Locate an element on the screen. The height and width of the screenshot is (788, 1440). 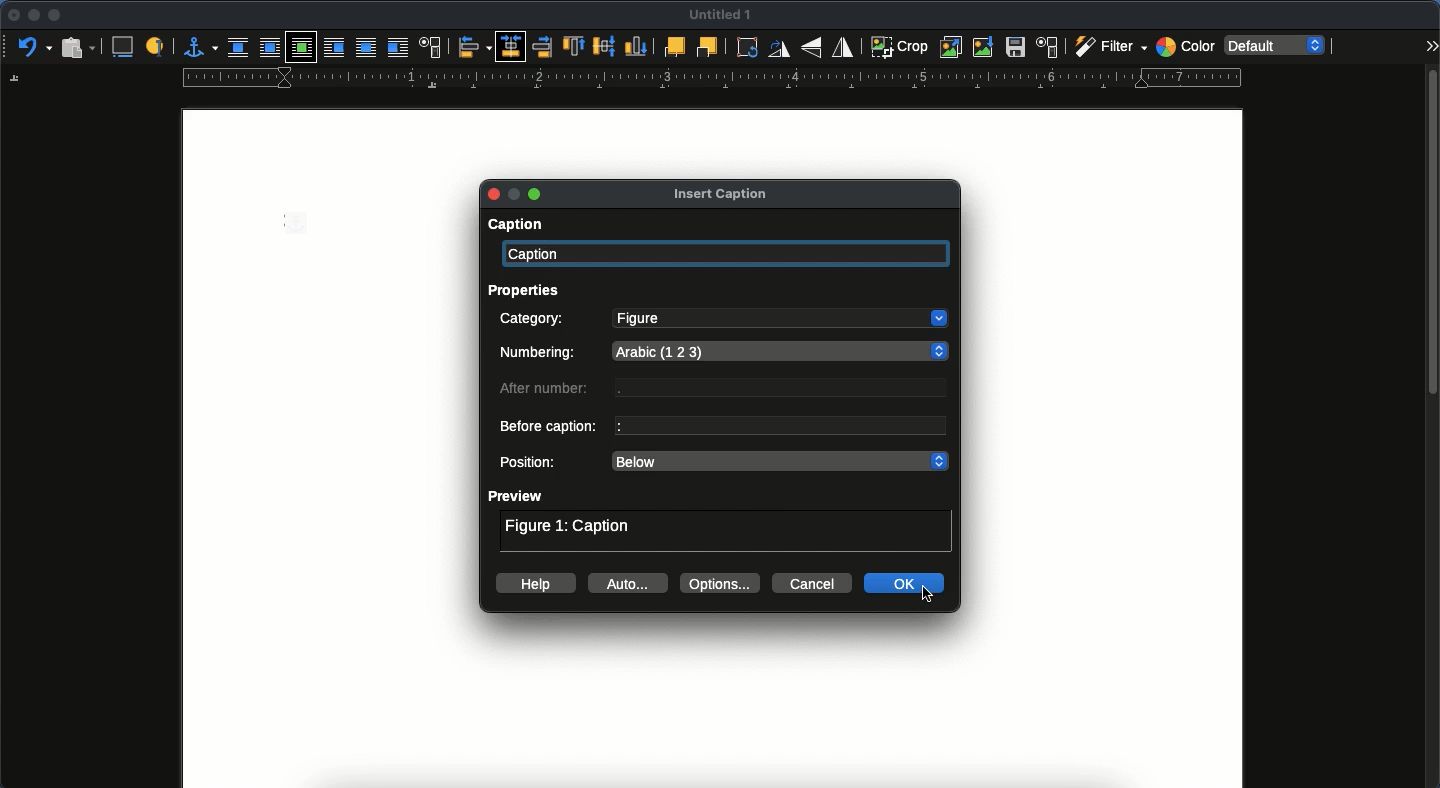
expand is located at coordinates (1431, 45).